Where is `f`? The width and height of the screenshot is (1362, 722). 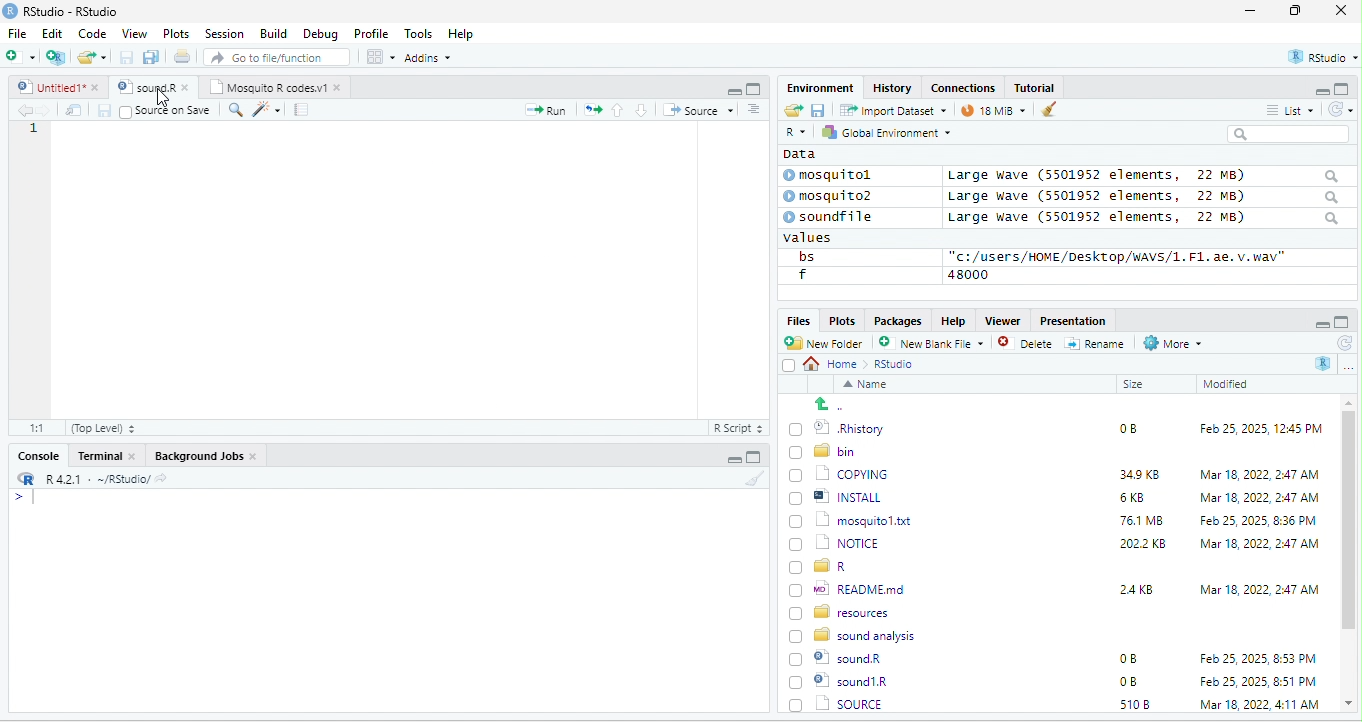 f is located at coordinates (802, 275).